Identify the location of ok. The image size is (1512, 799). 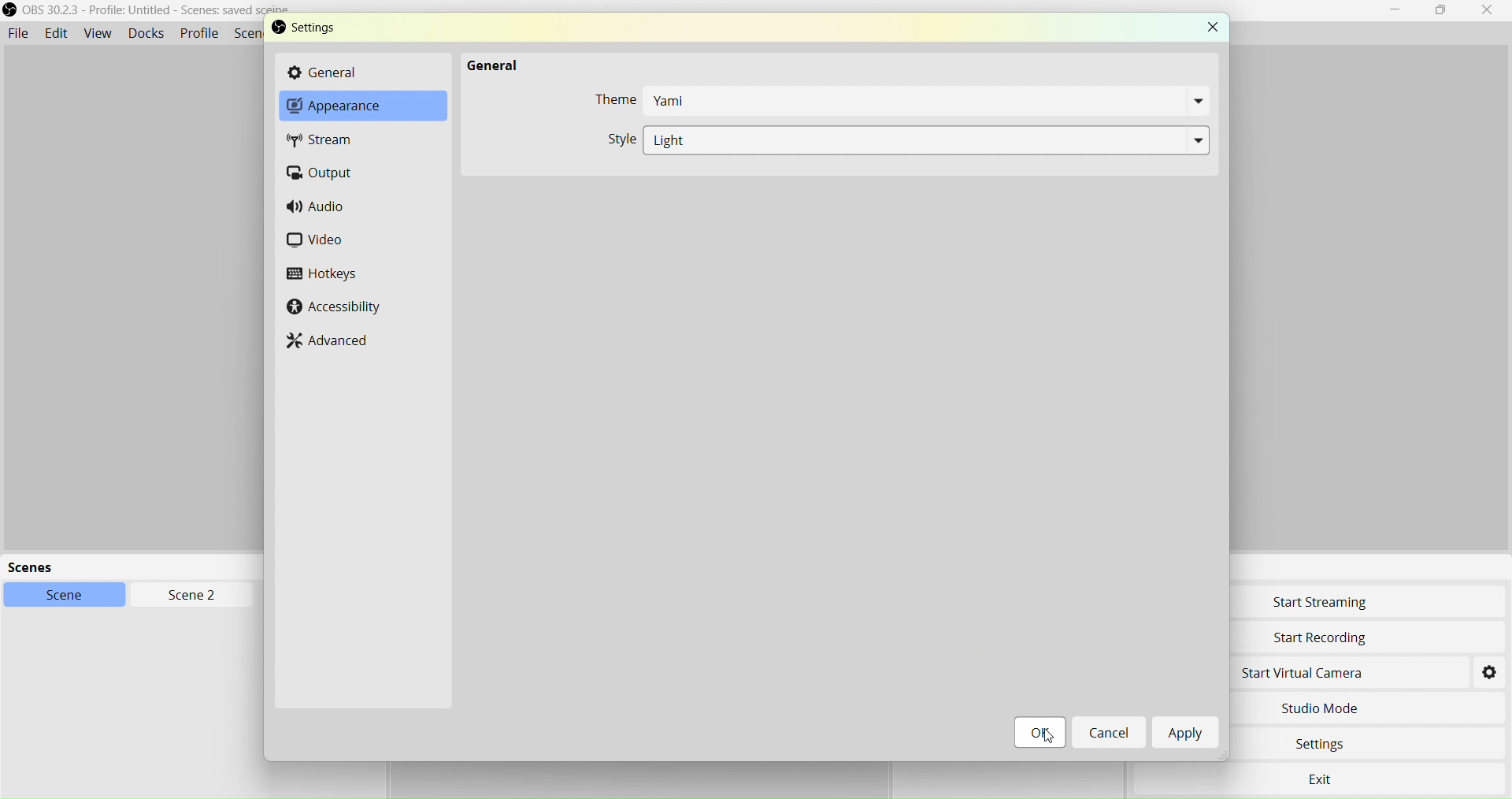
(1042, 738).